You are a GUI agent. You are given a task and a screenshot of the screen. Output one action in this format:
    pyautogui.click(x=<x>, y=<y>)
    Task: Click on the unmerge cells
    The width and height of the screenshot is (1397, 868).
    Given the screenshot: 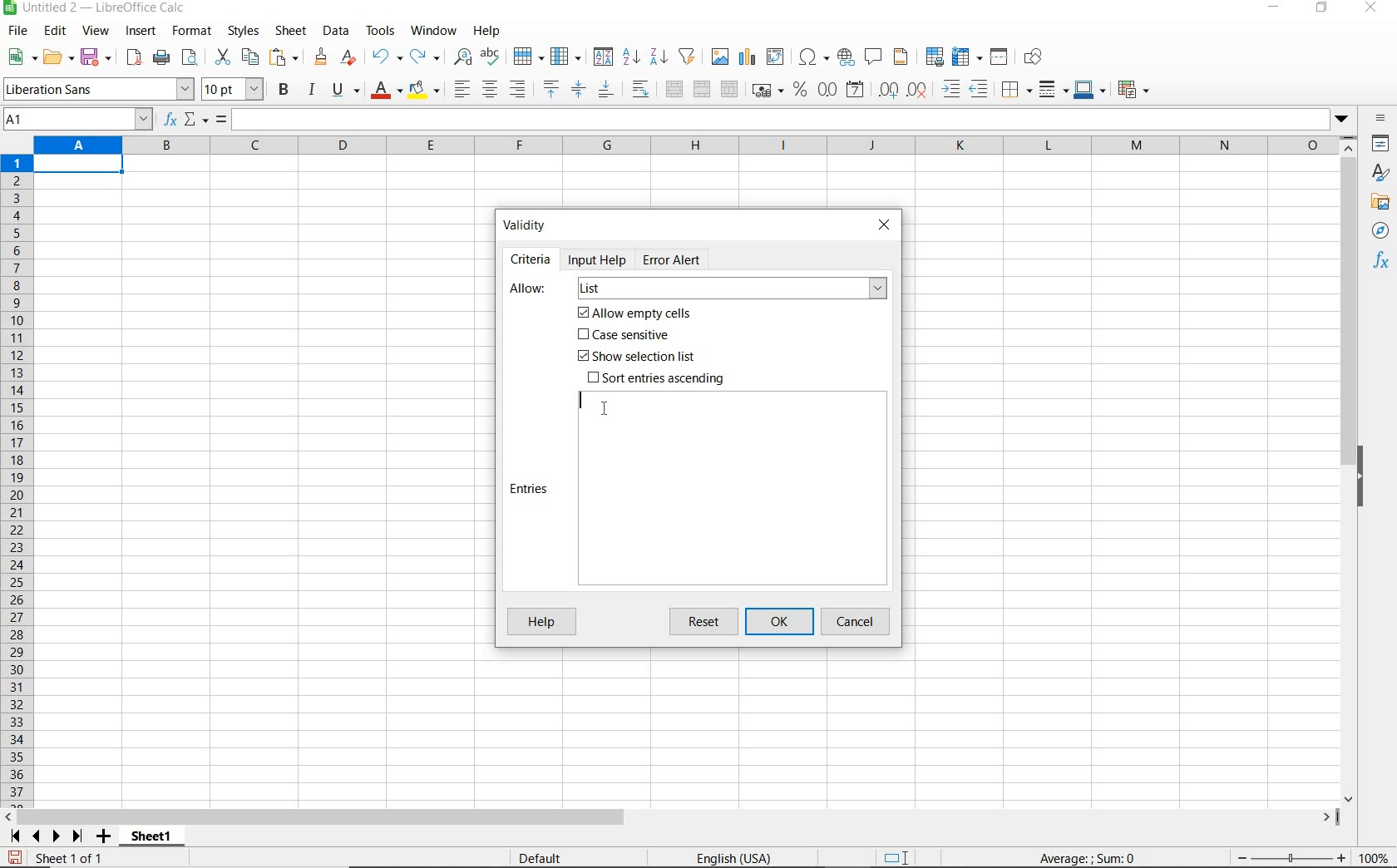 What is the action you would take?
    pyautogui.click(x=729, y=89)
    